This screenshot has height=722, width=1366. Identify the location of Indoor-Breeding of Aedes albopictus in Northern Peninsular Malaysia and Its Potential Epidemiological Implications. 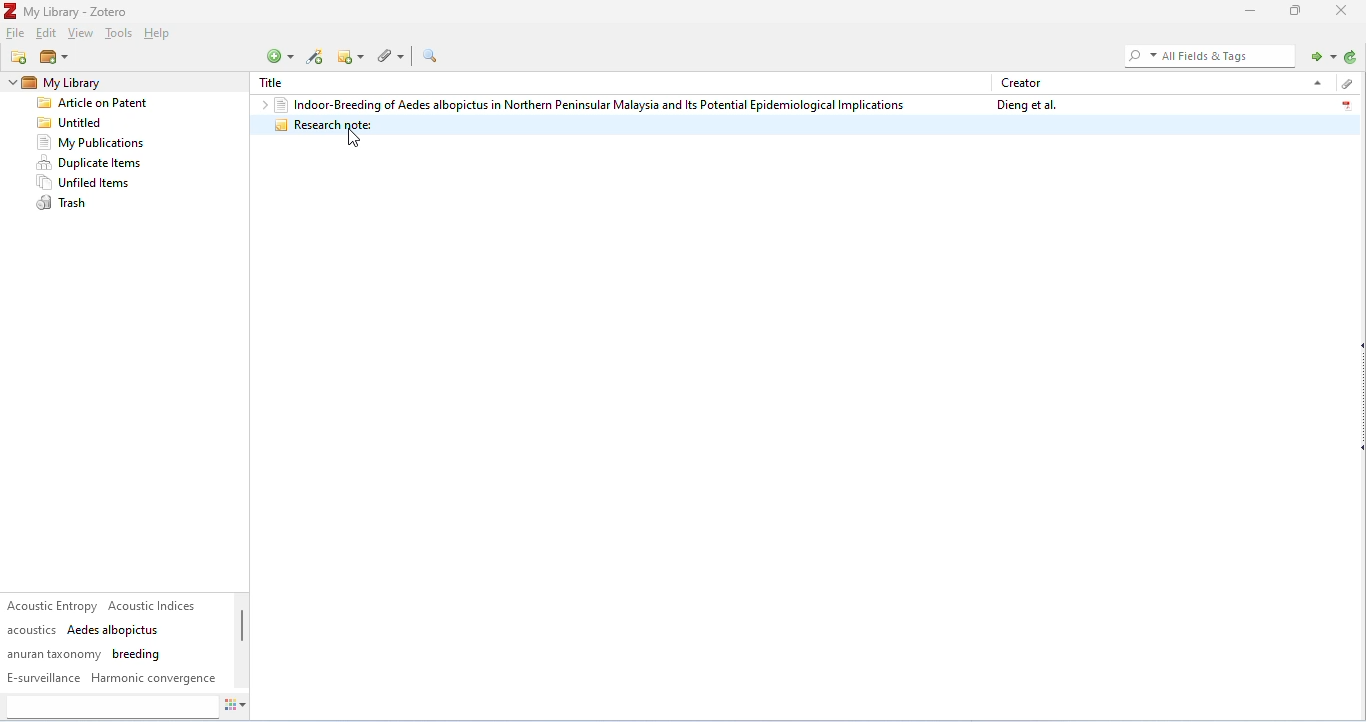
(589, 104).